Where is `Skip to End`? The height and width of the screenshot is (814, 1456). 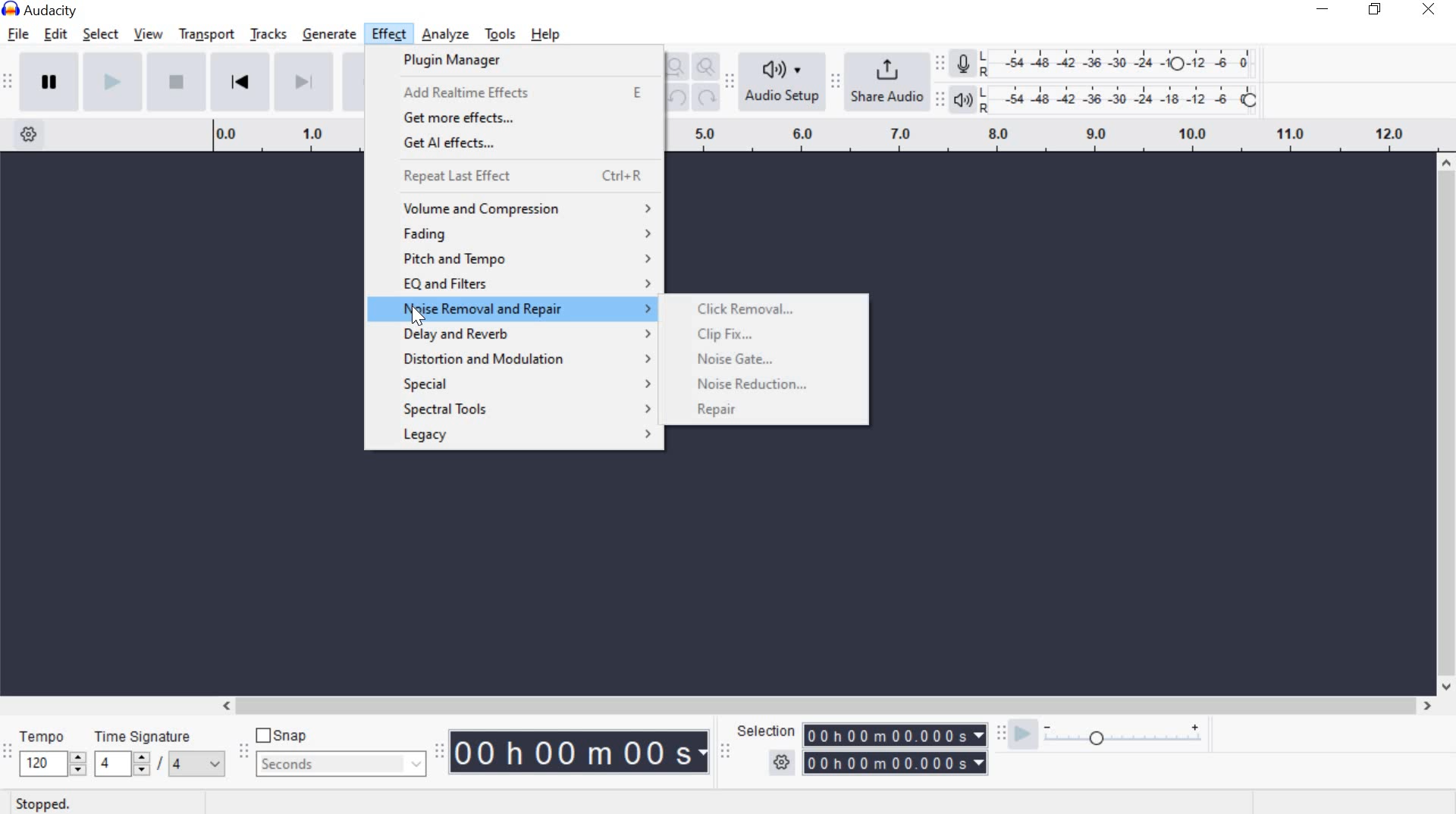
Skip to End is located at coordinates (303, 82).